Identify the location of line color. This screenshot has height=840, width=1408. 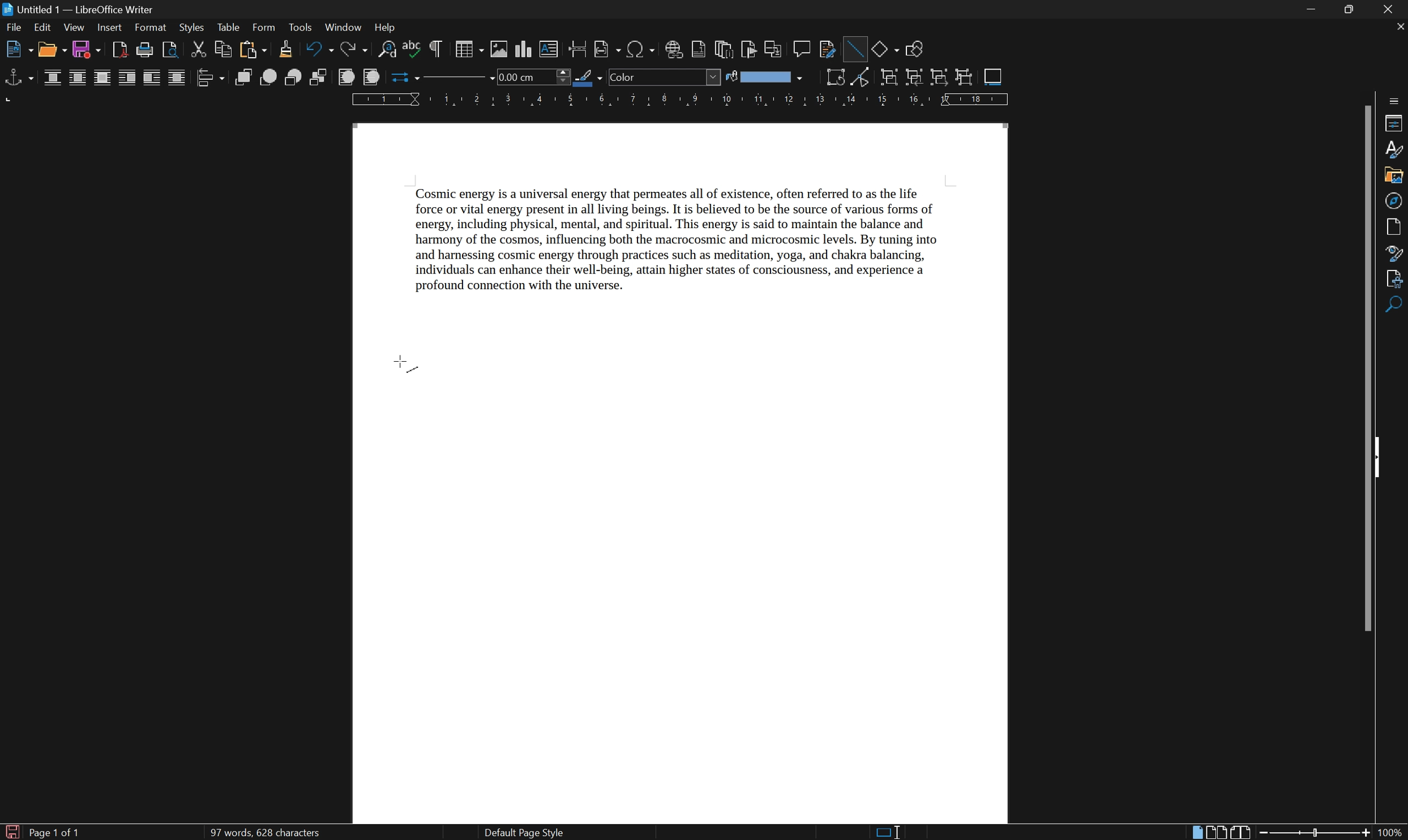
(589, 78).